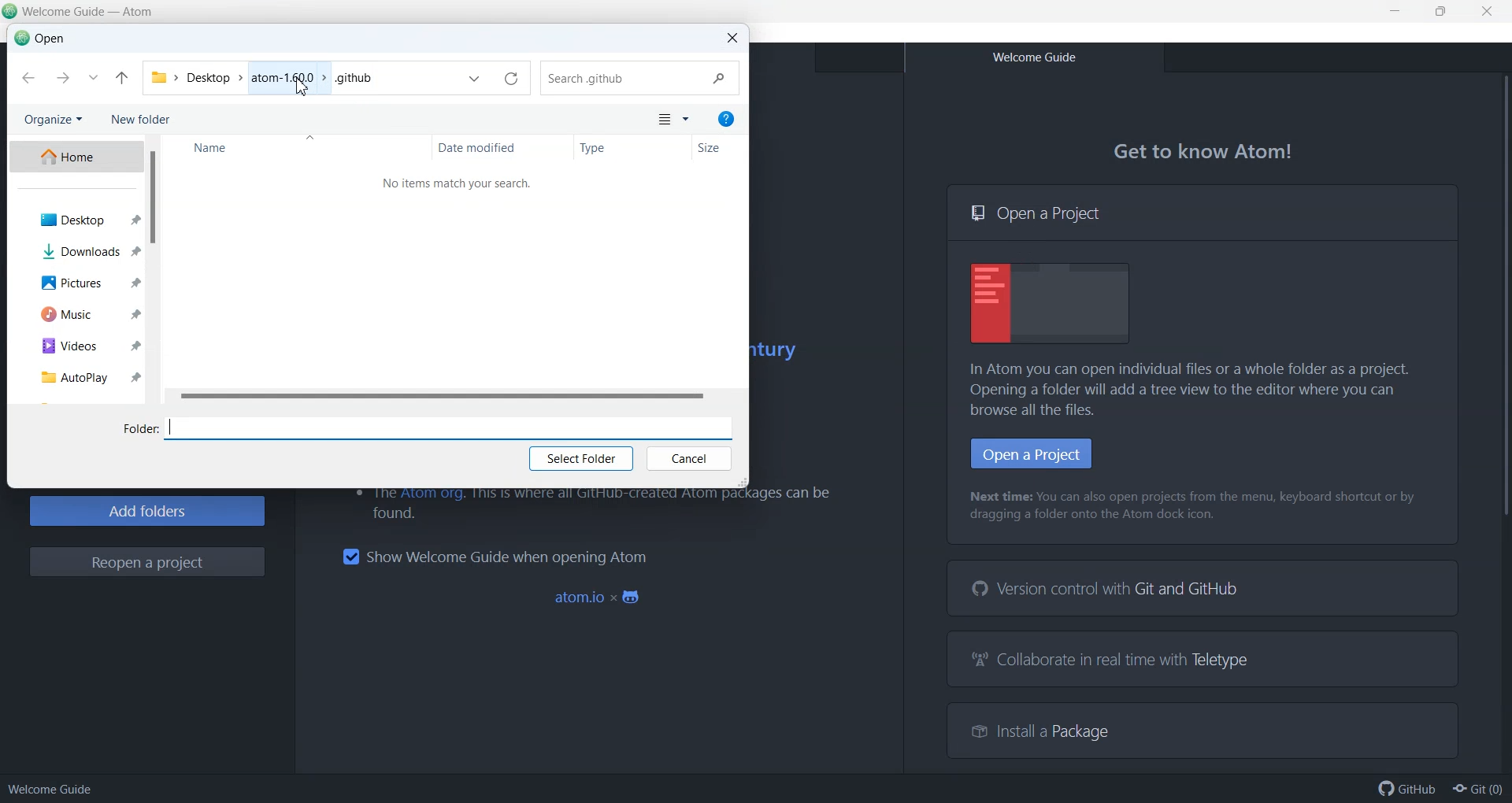  Describe the element at coordinates (726, 118) in the screenshot. I see `Get Help` at that location.